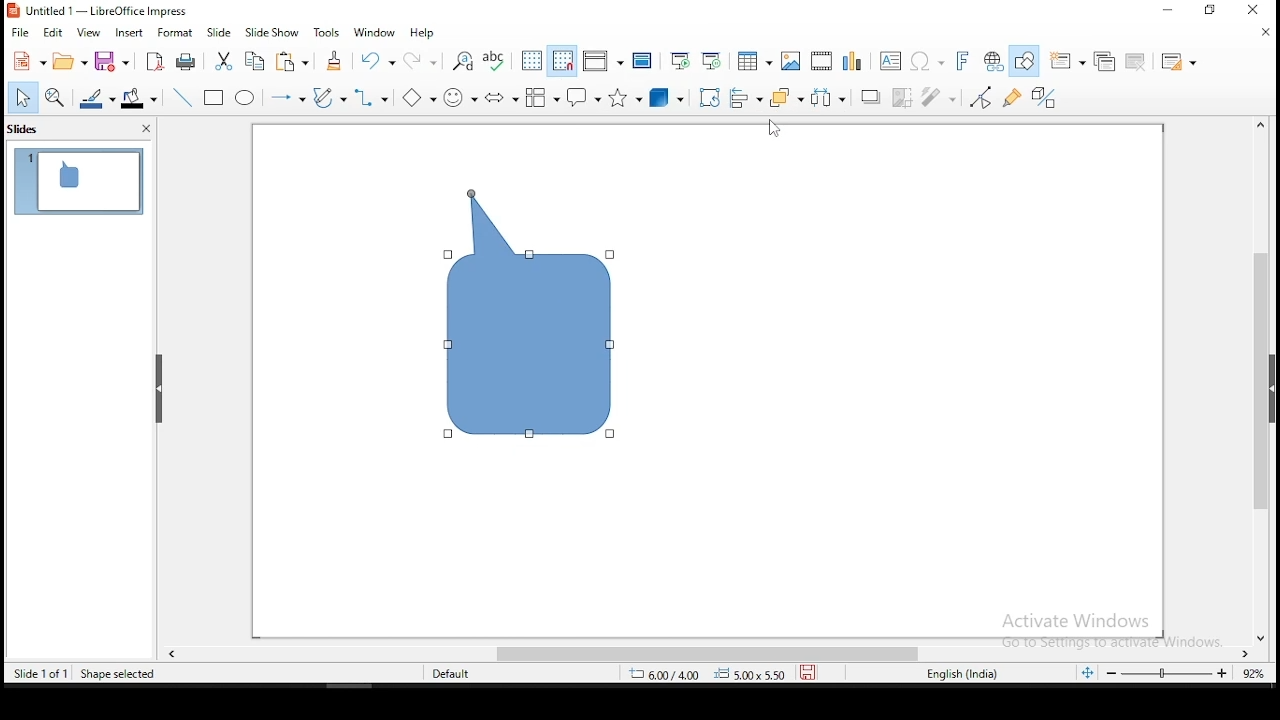  Describe the element at coordinates (273, 29) in the screenshot. I see `slide show` at that location.